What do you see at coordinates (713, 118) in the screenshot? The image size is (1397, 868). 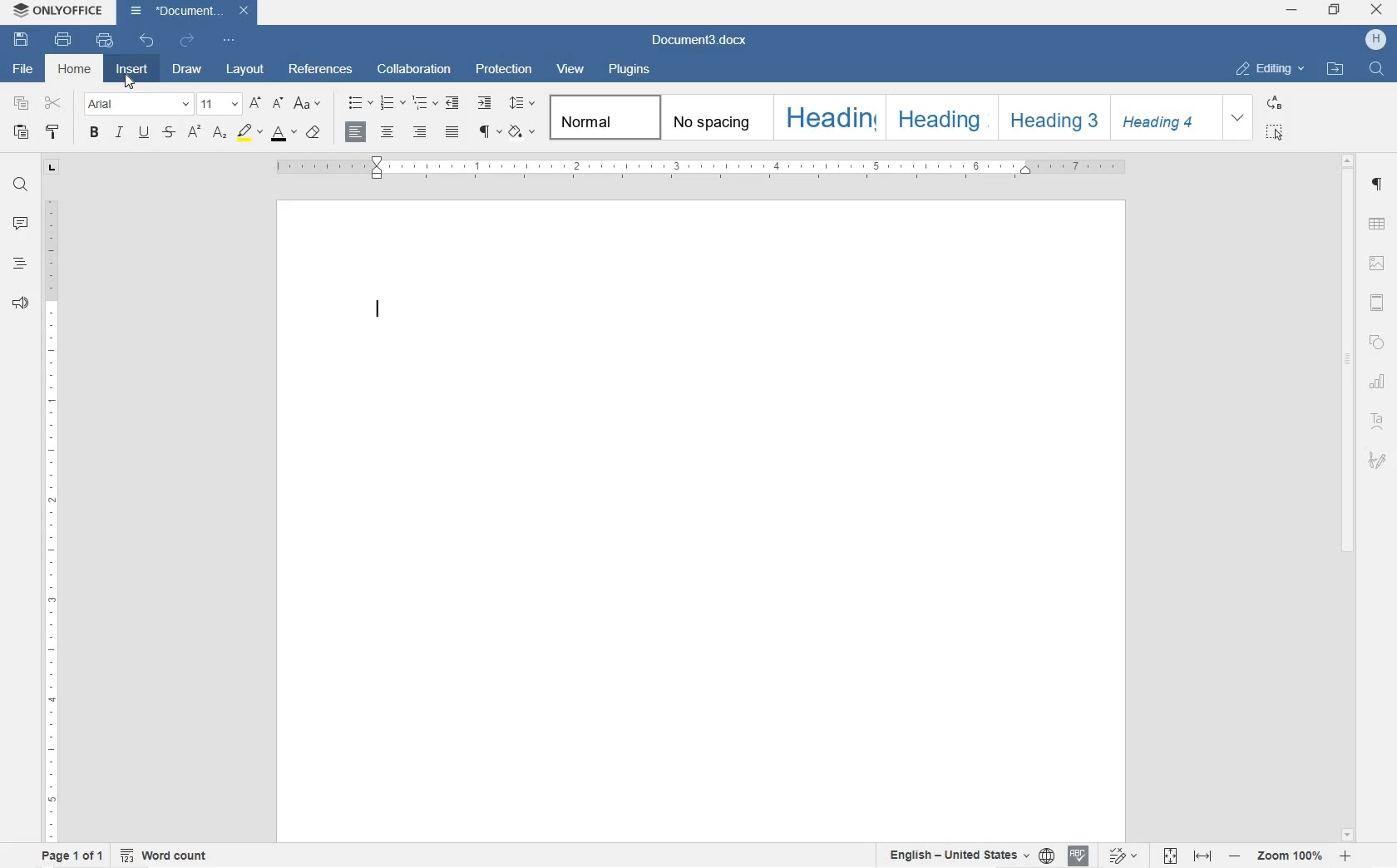 I see `NO SPACING` at bounding box center [713, 118].